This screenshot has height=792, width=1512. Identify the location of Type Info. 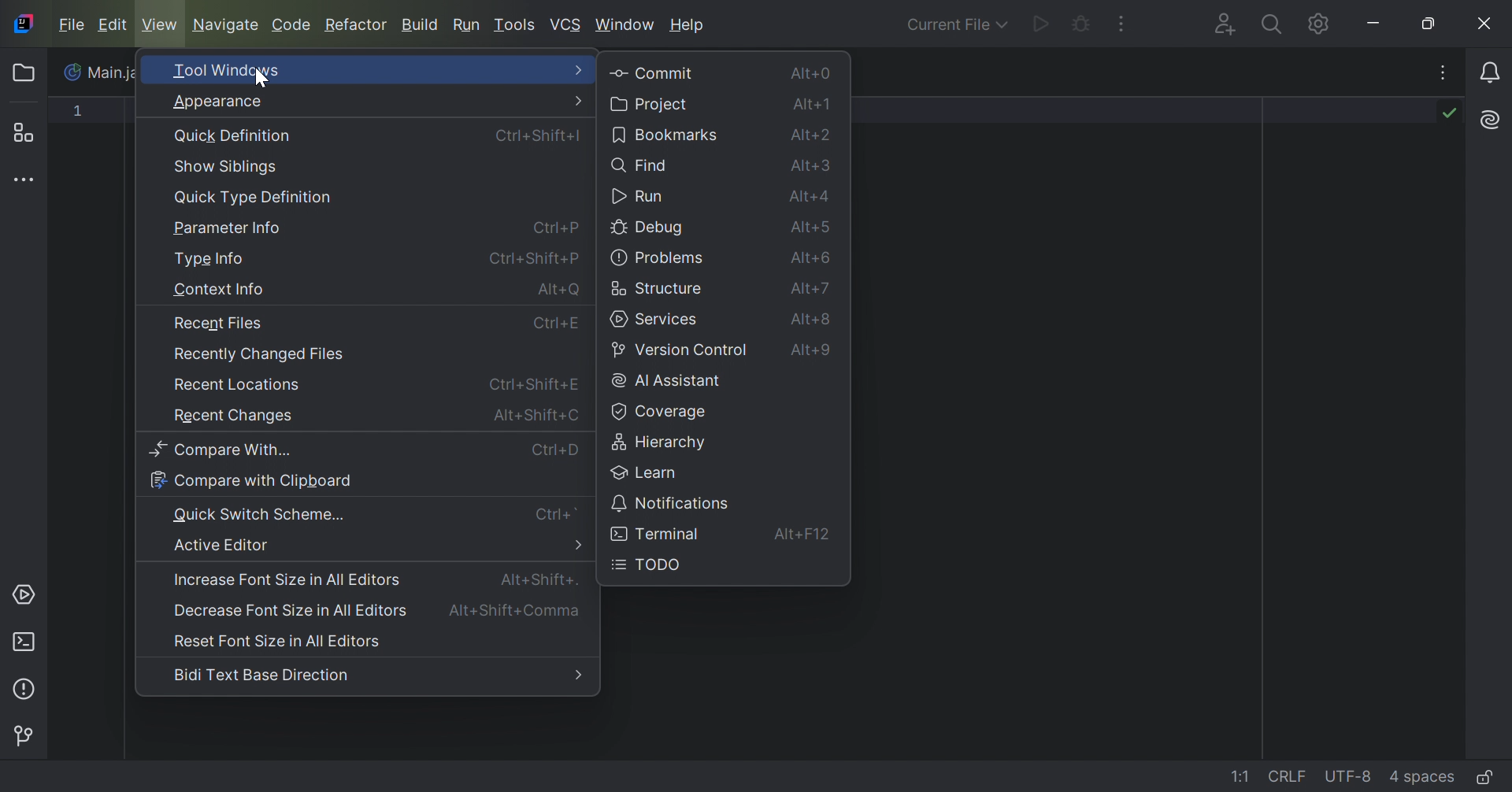
(209, 260).